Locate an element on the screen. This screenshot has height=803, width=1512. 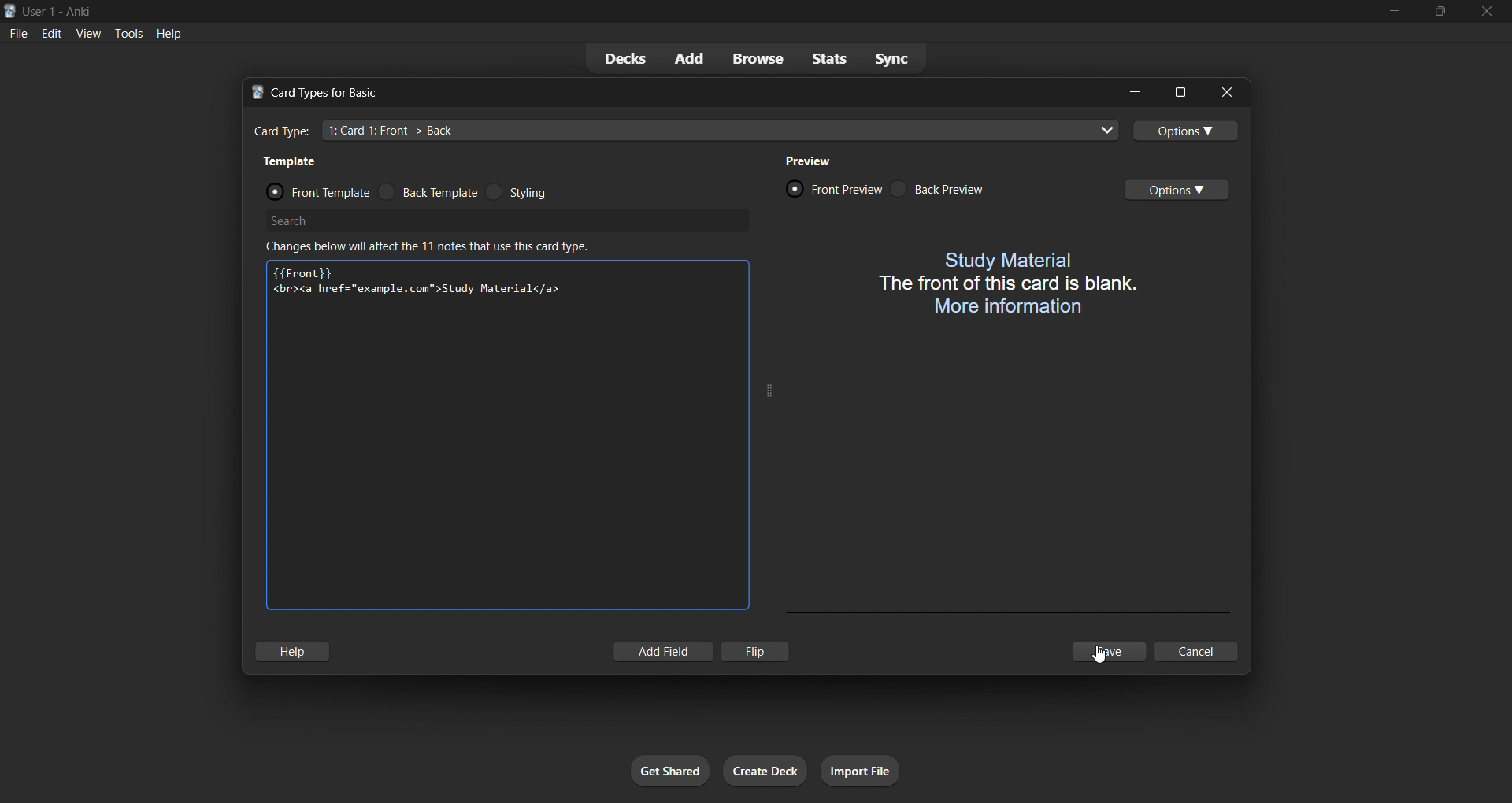
options toggle is located at coordinates (1188, 132).